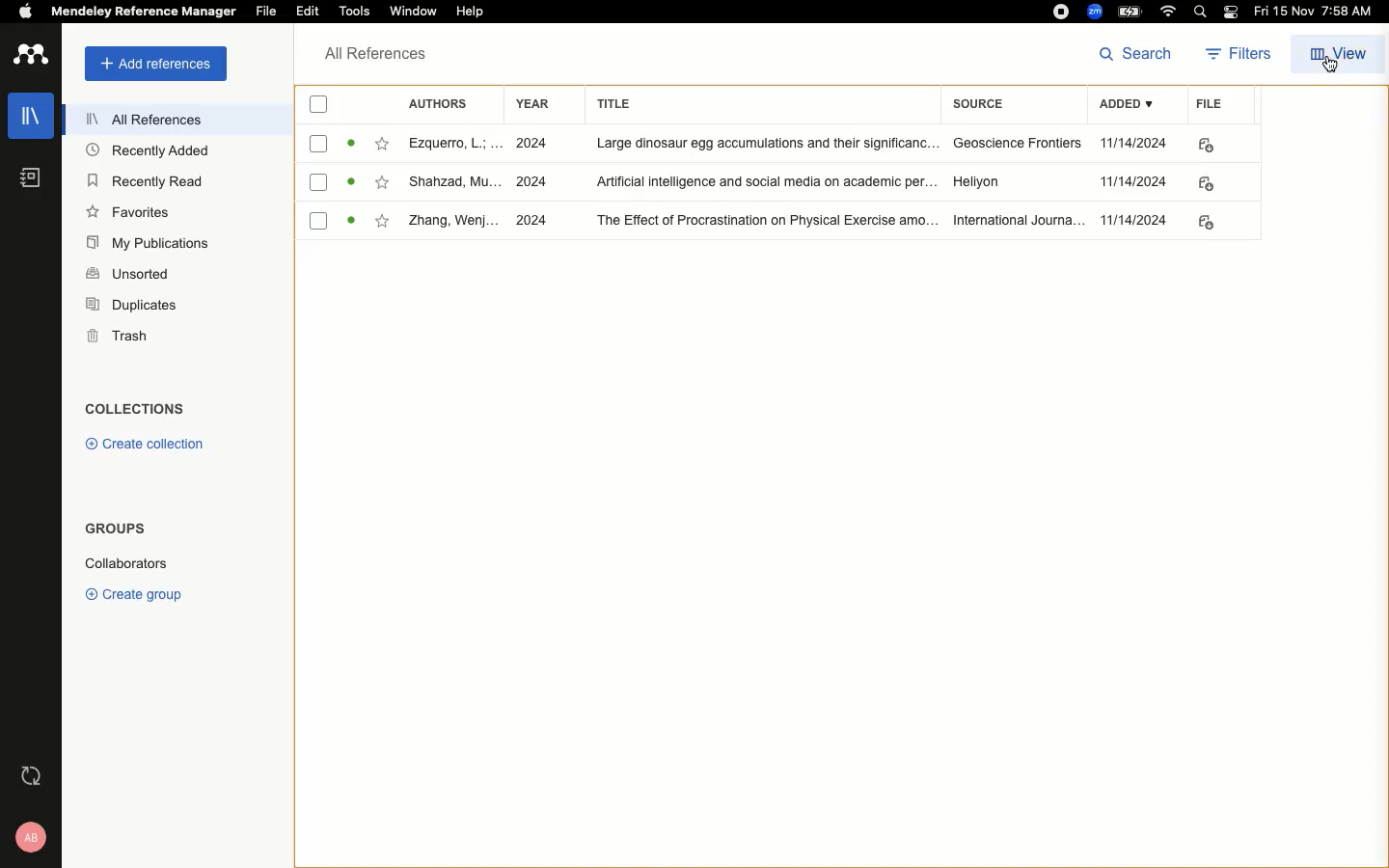 This screenshot has height=868, width=1389. What do you see at coordinates (352, 222) in the screenshot?
I see `Active` at bounding box center [352, 222].